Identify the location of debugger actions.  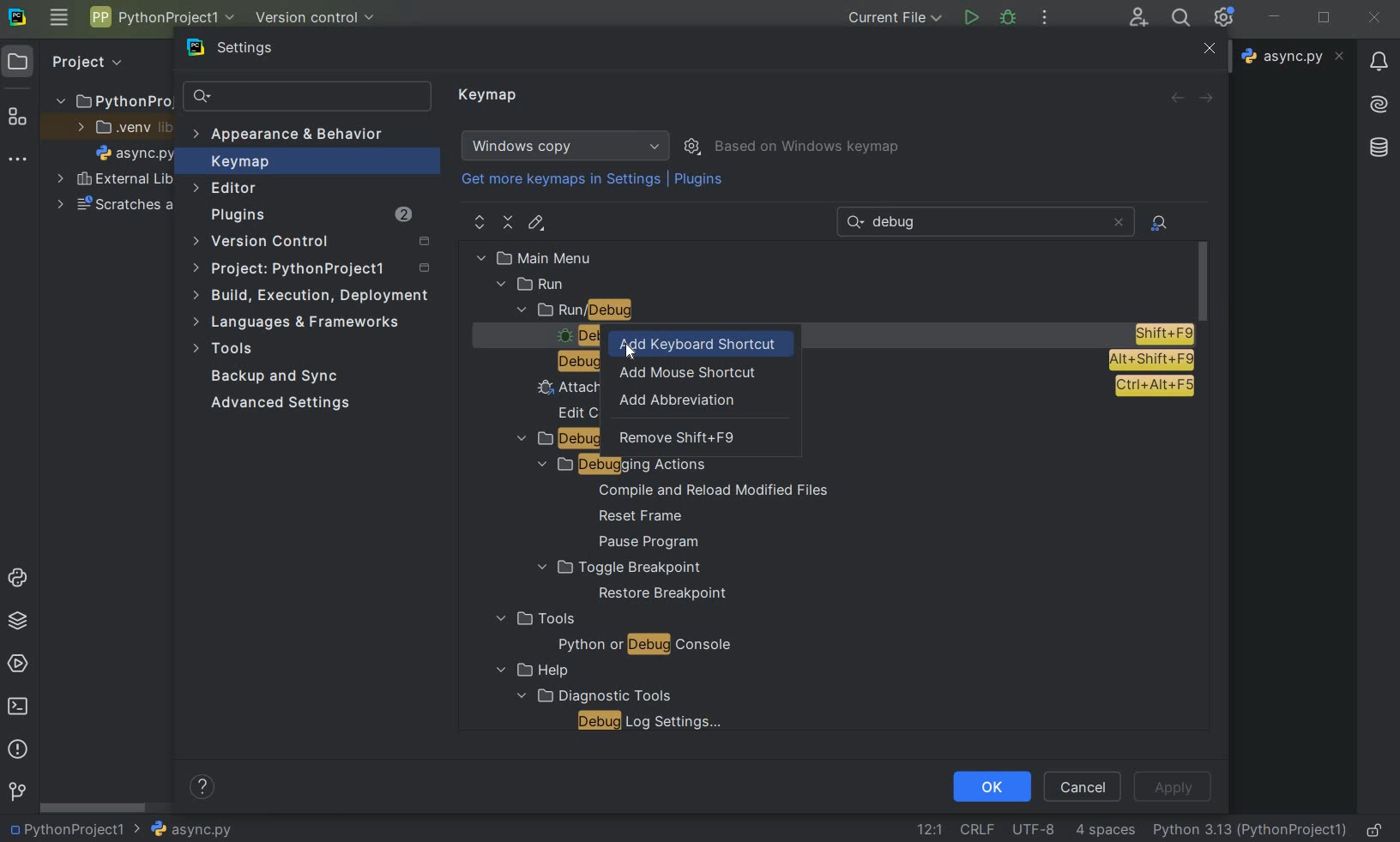
(557, 440).